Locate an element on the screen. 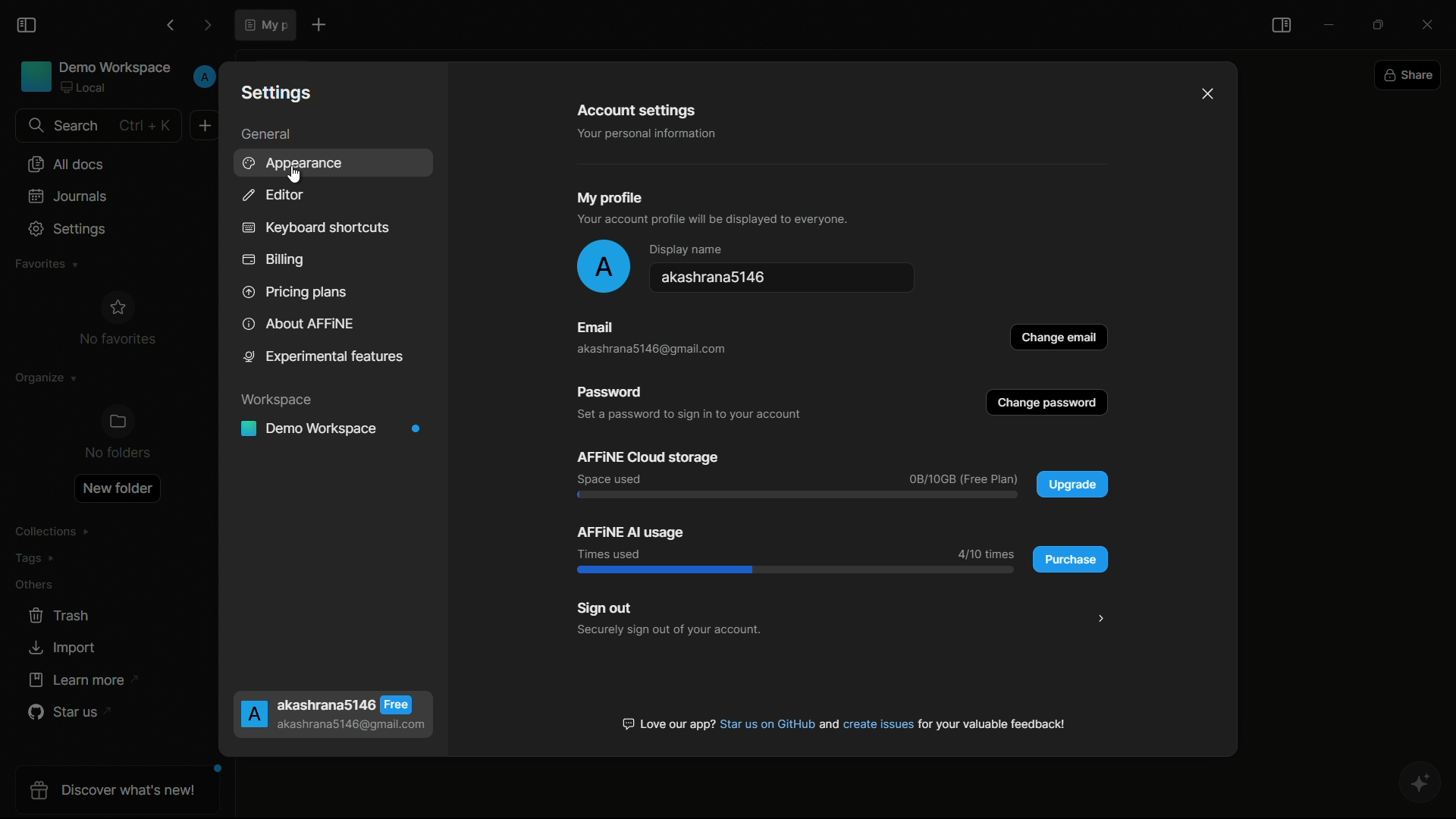 This screenshot has height=819, width=1456. new folder is located at coordinates (118, 488).